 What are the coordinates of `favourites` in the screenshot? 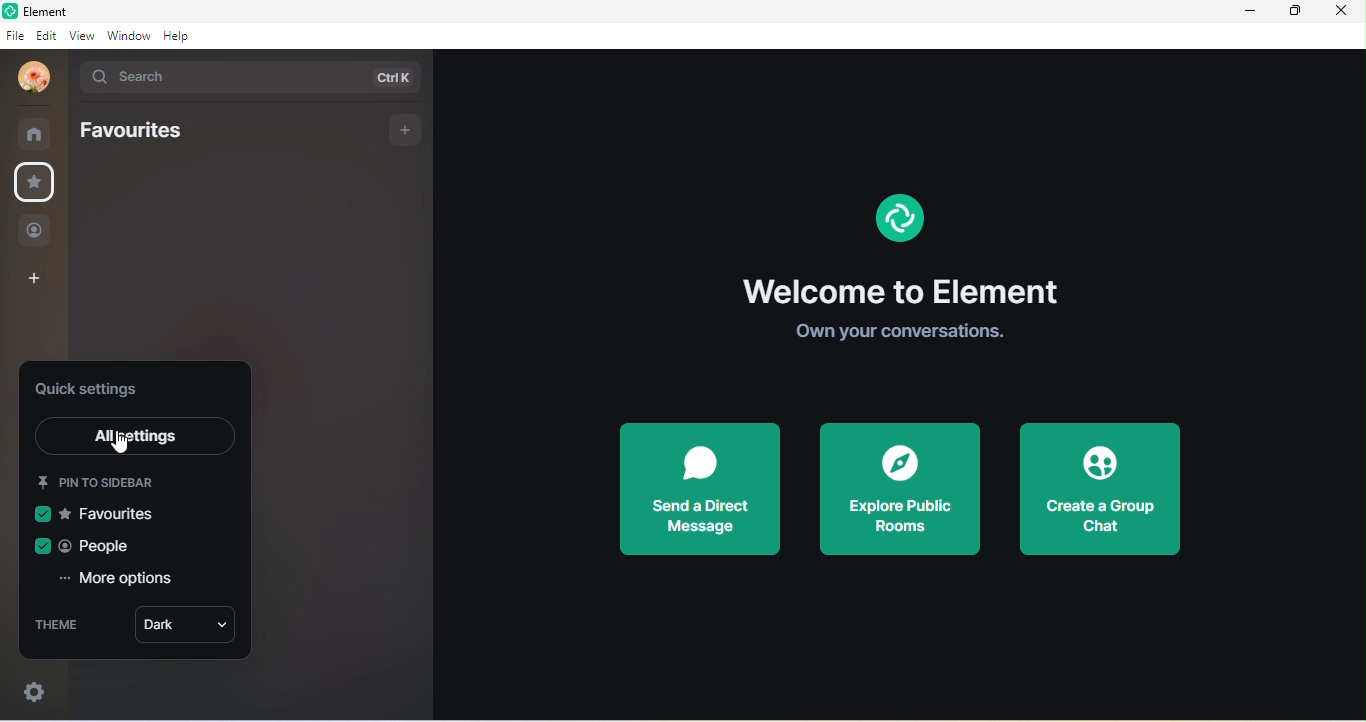 It's located at (138, 135).